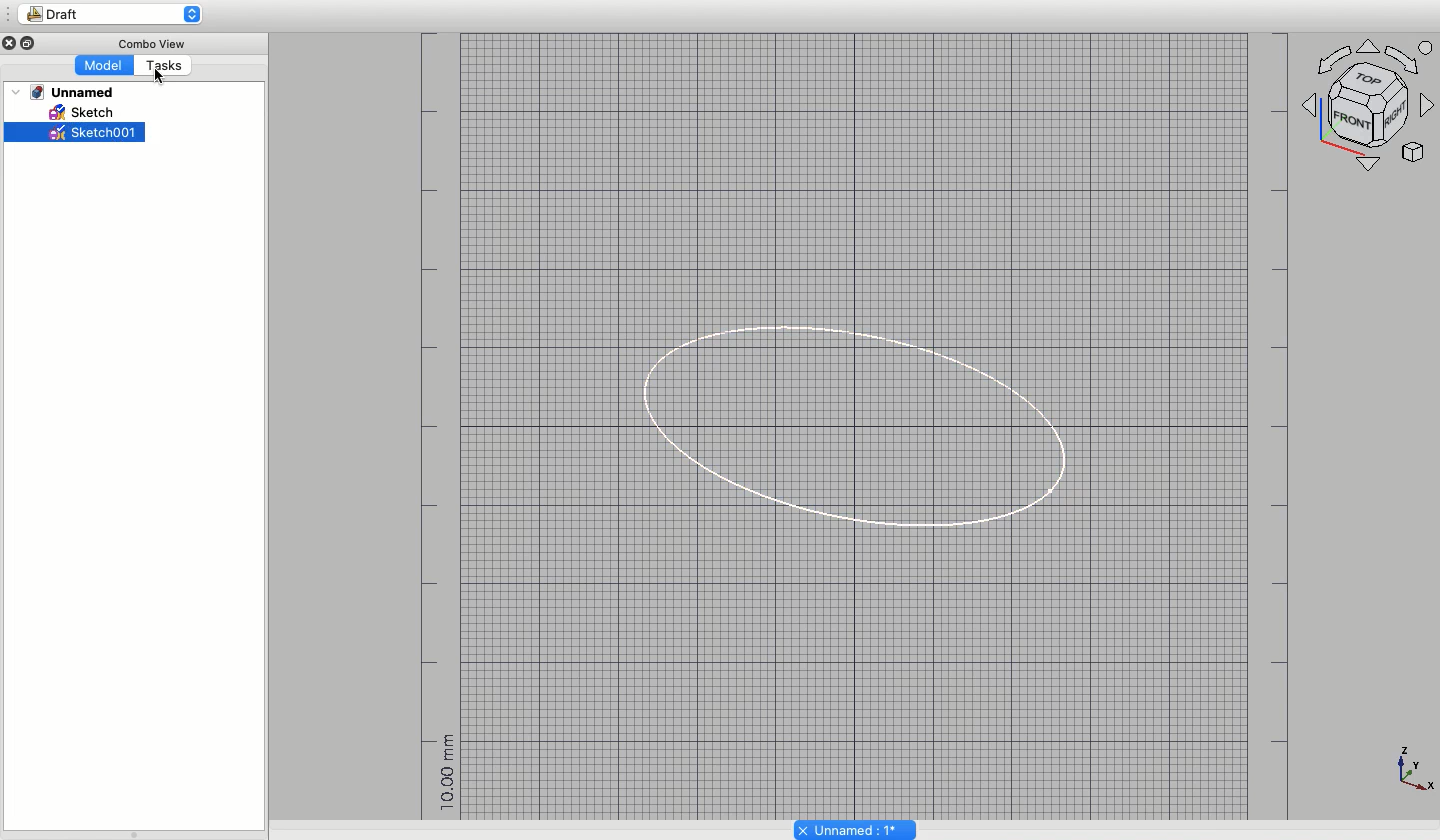  Describe the element at coordinates (164, 65) in the screenshot. I see `Tasks` at that location.